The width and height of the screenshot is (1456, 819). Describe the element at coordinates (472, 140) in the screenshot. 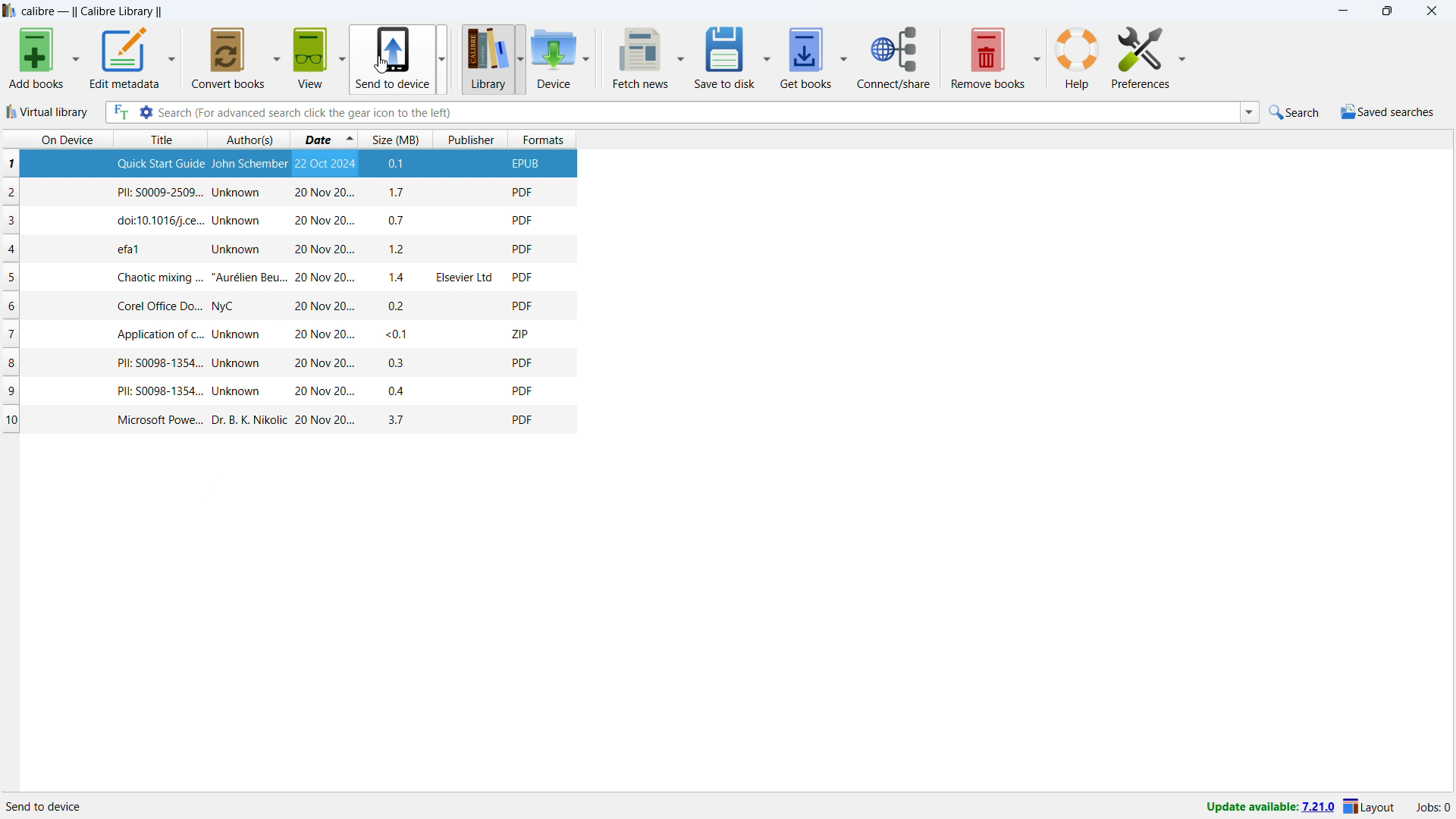

I see `sort by publisher` at that location.